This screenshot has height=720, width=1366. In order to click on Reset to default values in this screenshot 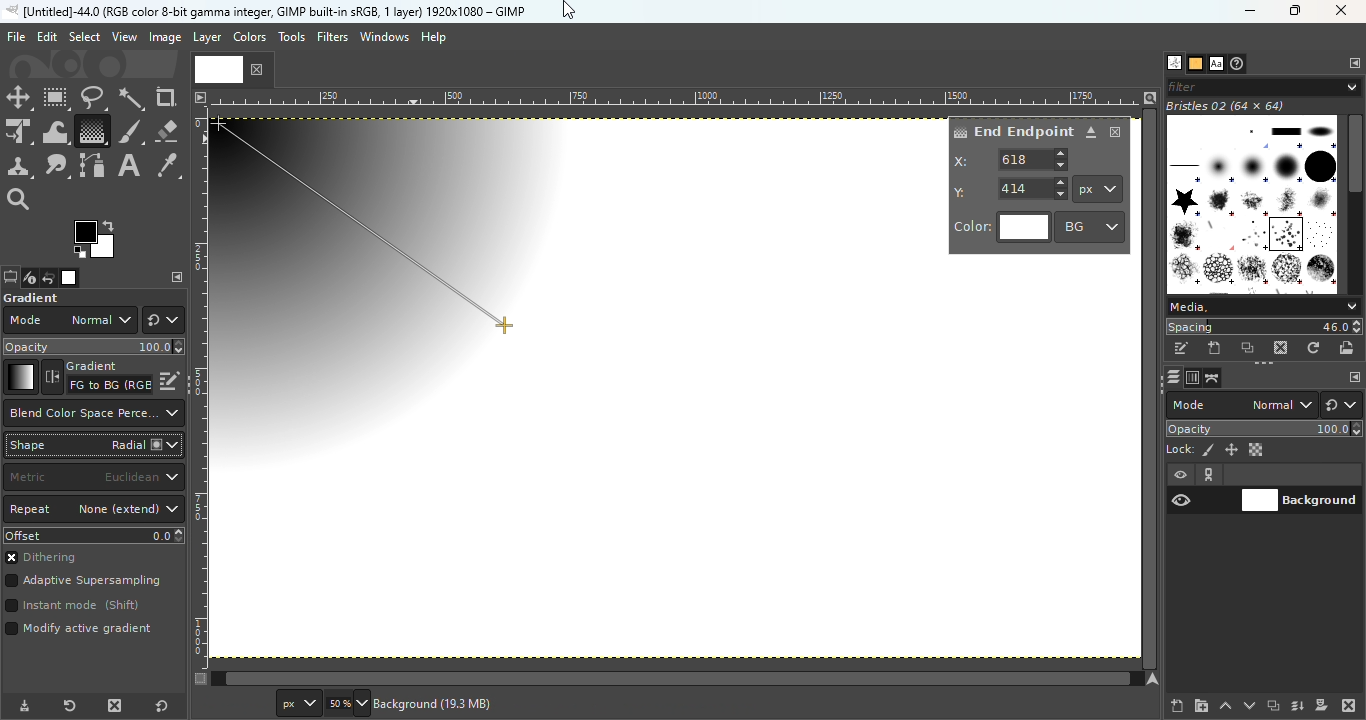, I will do `click(166, 705)`.